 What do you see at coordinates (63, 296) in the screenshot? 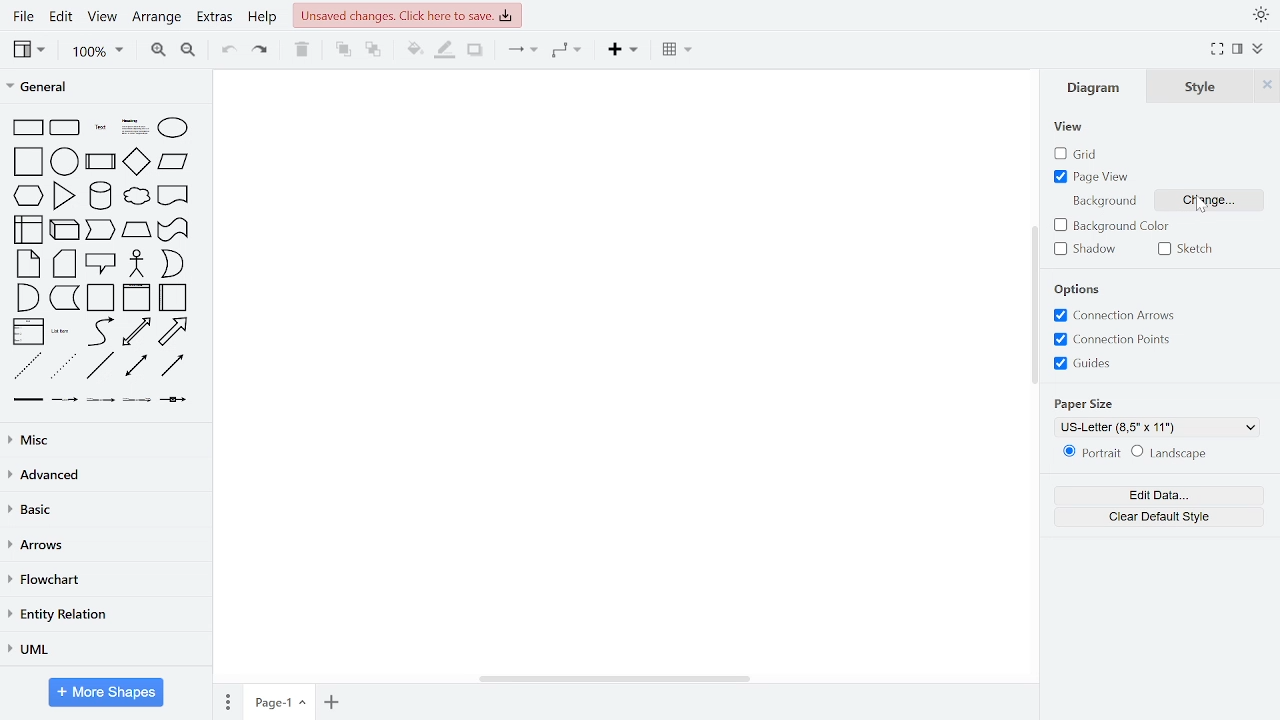
I see `general shapes` at bounding box center [63, 296].